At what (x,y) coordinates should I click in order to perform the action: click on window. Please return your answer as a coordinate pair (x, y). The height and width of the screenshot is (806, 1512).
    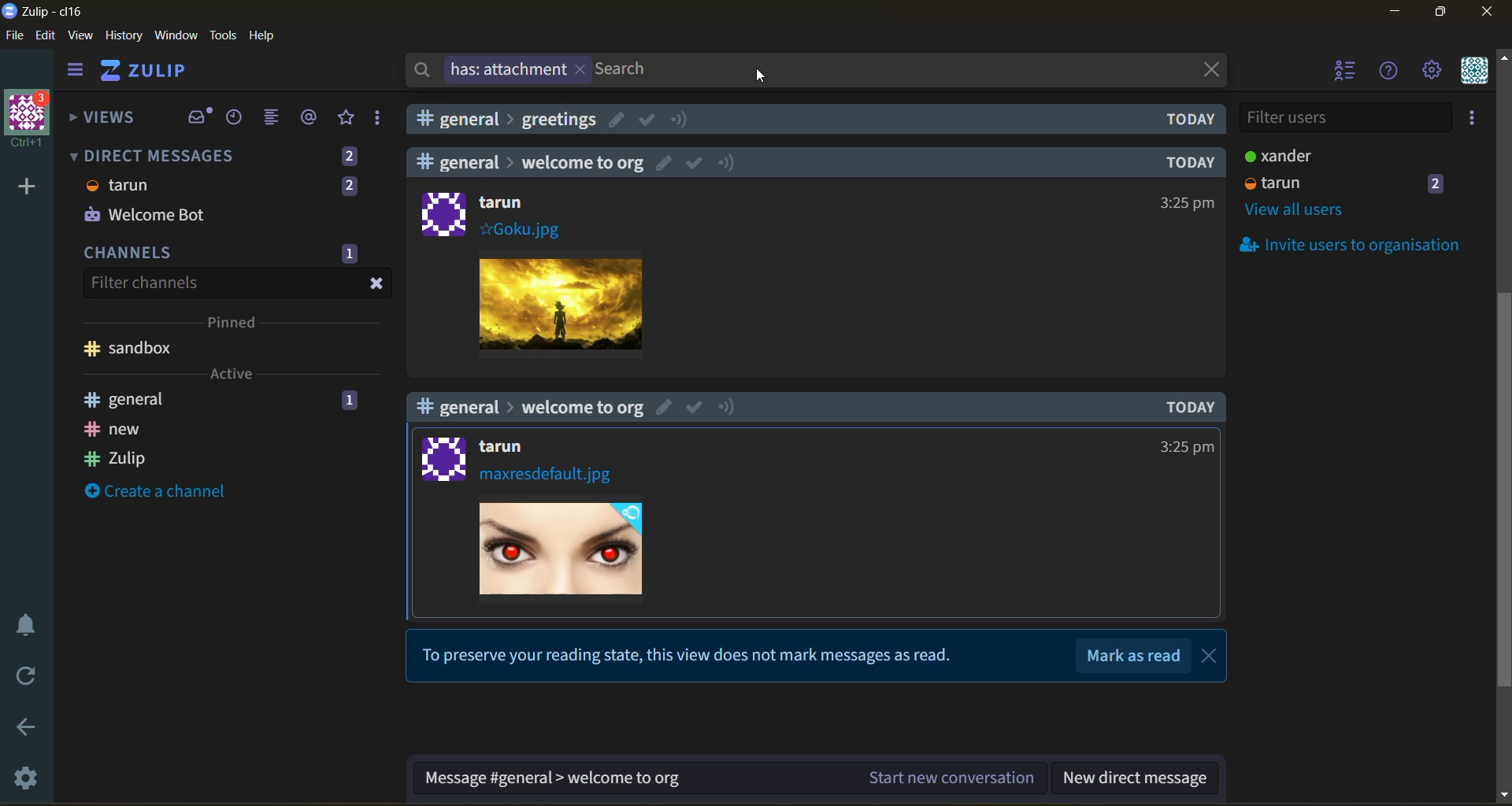
    Looking at the image, I should click on (176, 35).